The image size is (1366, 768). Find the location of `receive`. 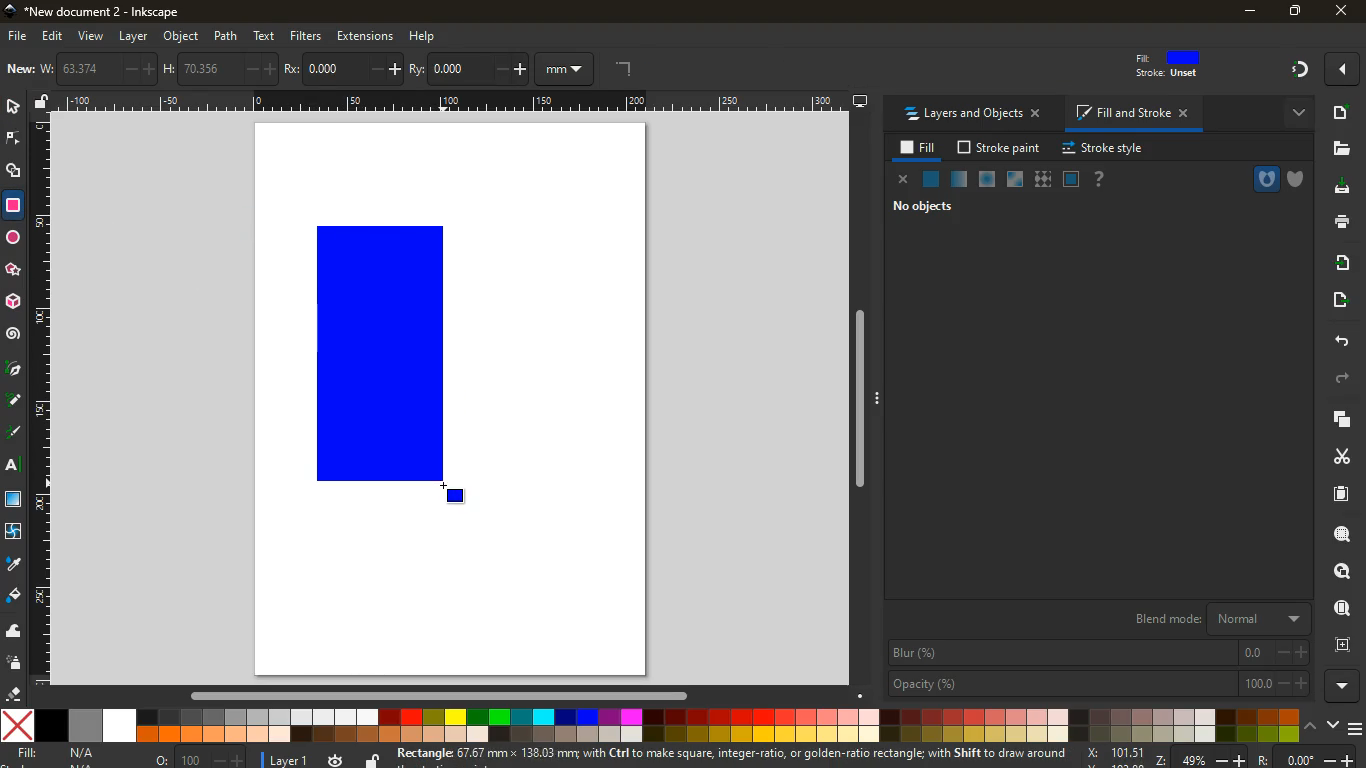

receive is located at coordinates (1339, 264).